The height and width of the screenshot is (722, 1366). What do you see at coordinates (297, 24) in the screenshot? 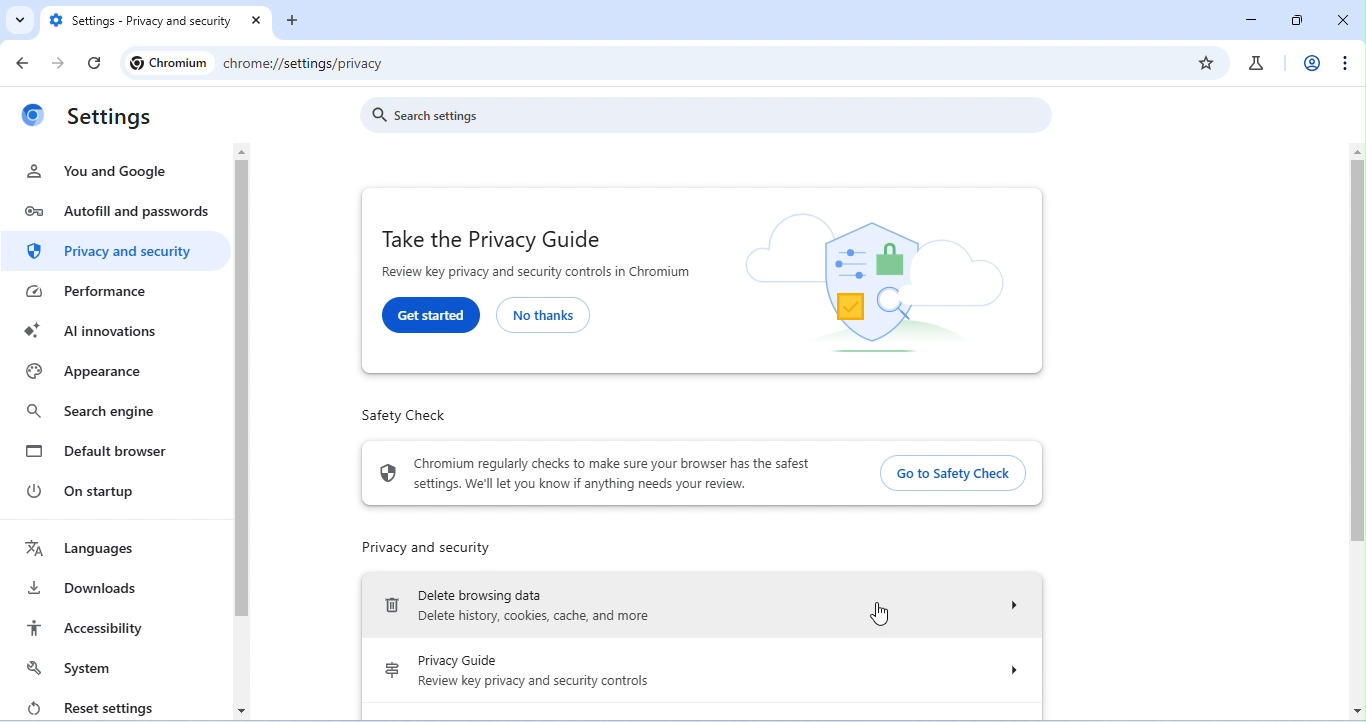
I see `add new tab` at bounding box center [297, 24].